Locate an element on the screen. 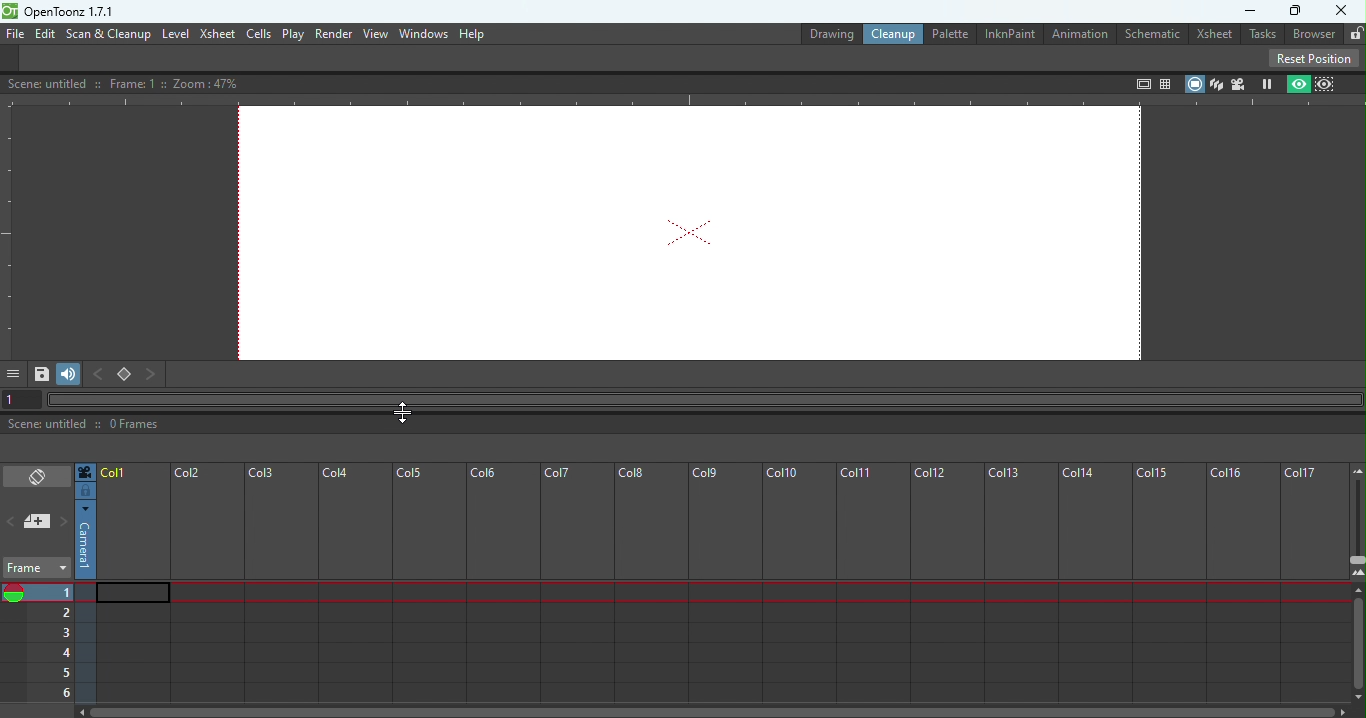  Vertical ruler is located at coordinates (9, 232).